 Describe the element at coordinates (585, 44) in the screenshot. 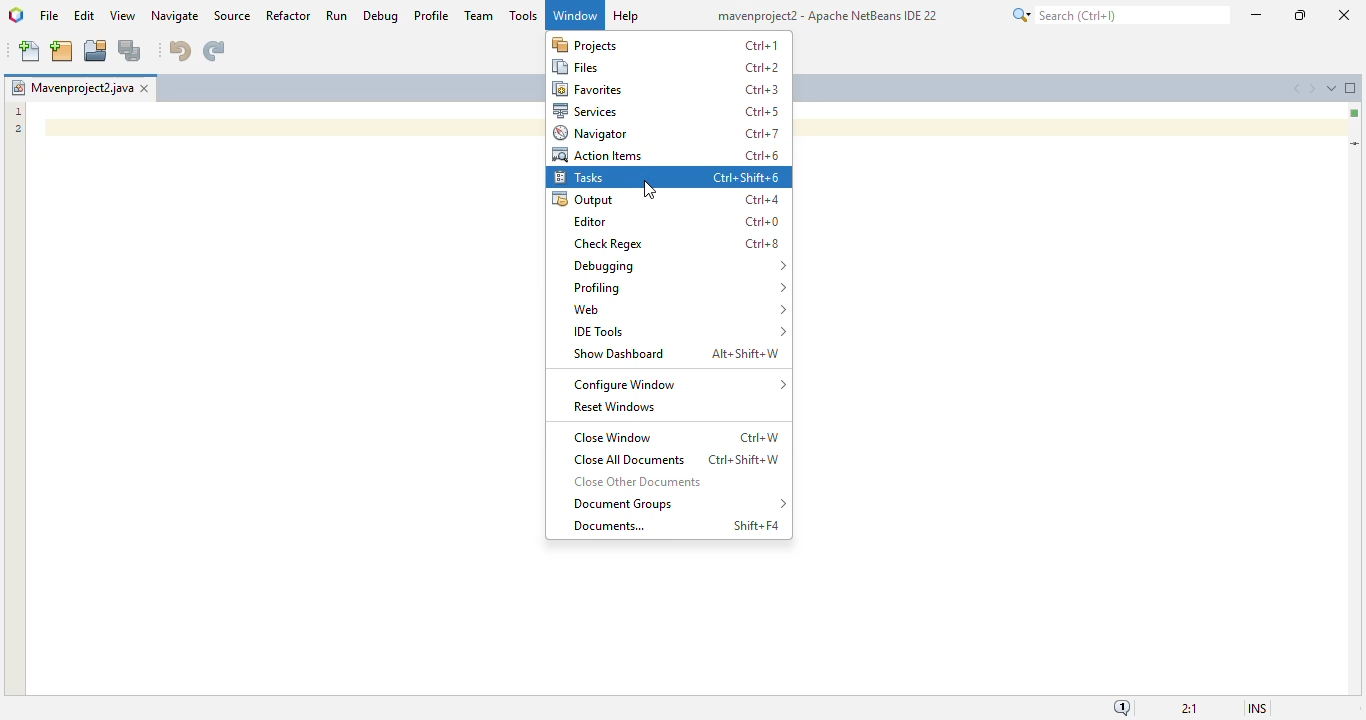

I see `projects` at that location.